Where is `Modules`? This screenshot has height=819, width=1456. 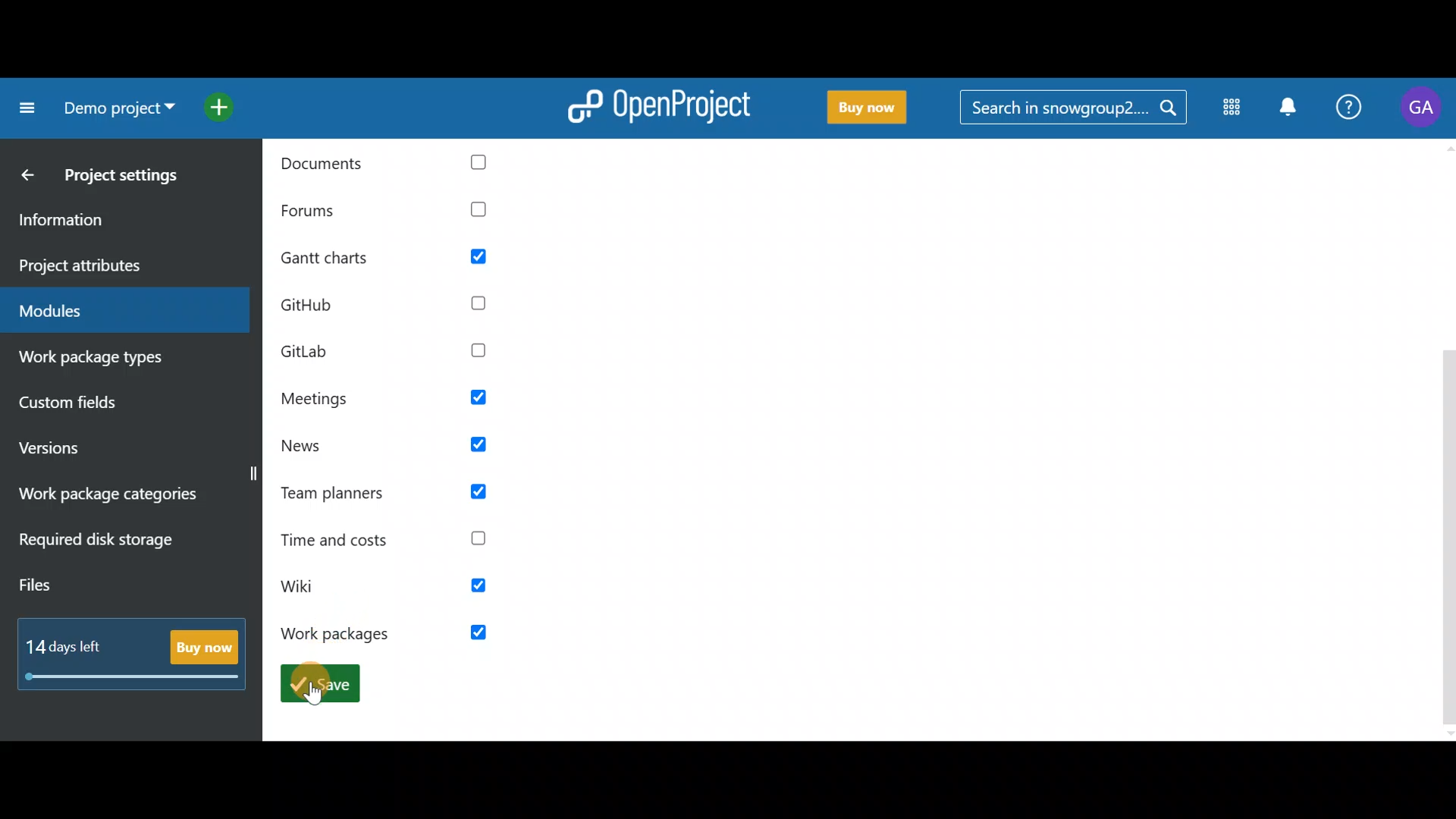
Modules is located at coordinates (115, 311).